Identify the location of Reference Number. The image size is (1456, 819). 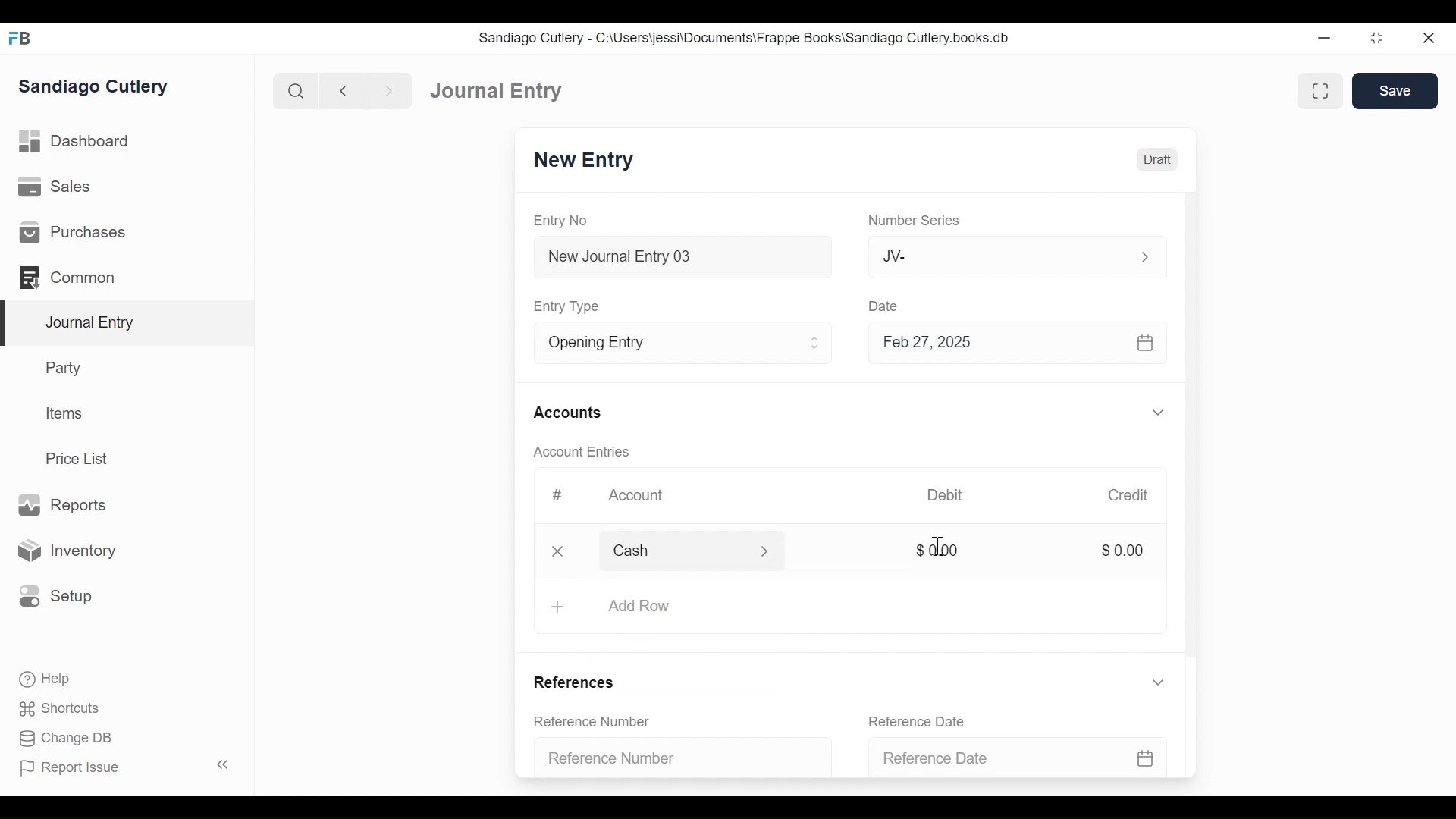
(674, 755).